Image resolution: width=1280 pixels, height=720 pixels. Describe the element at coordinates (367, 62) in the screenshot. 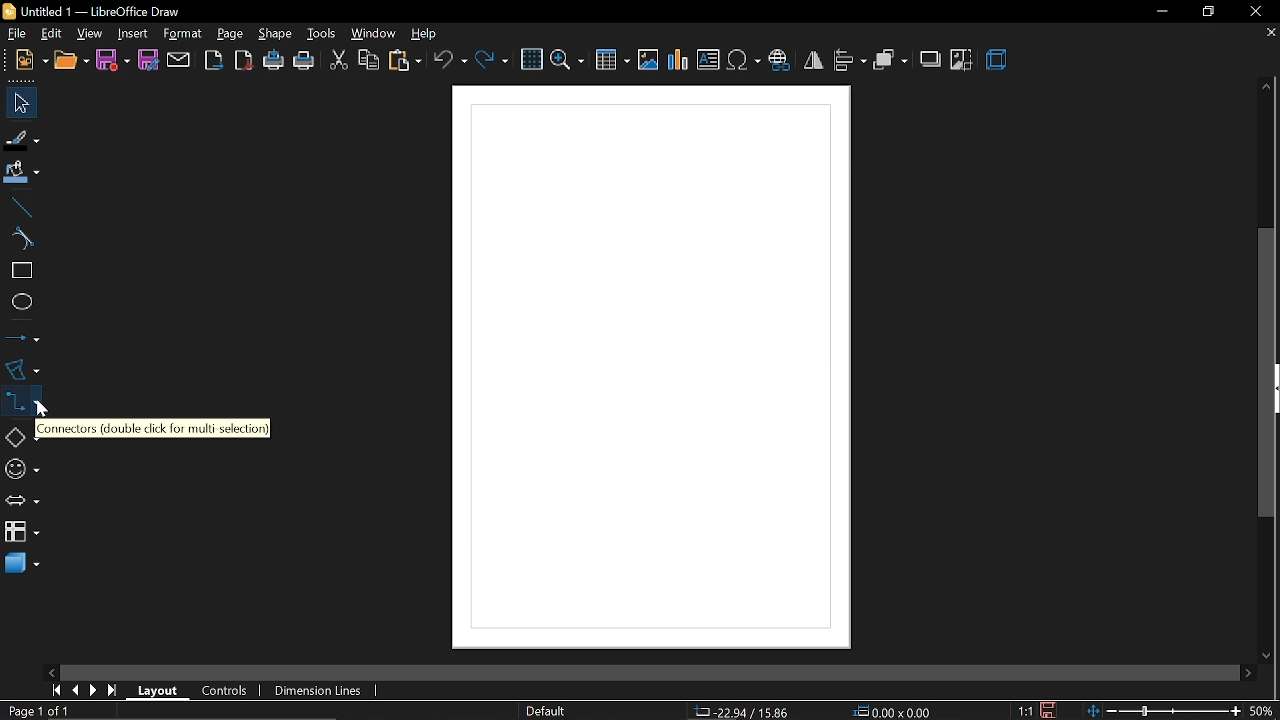

I see `copy` at that location.